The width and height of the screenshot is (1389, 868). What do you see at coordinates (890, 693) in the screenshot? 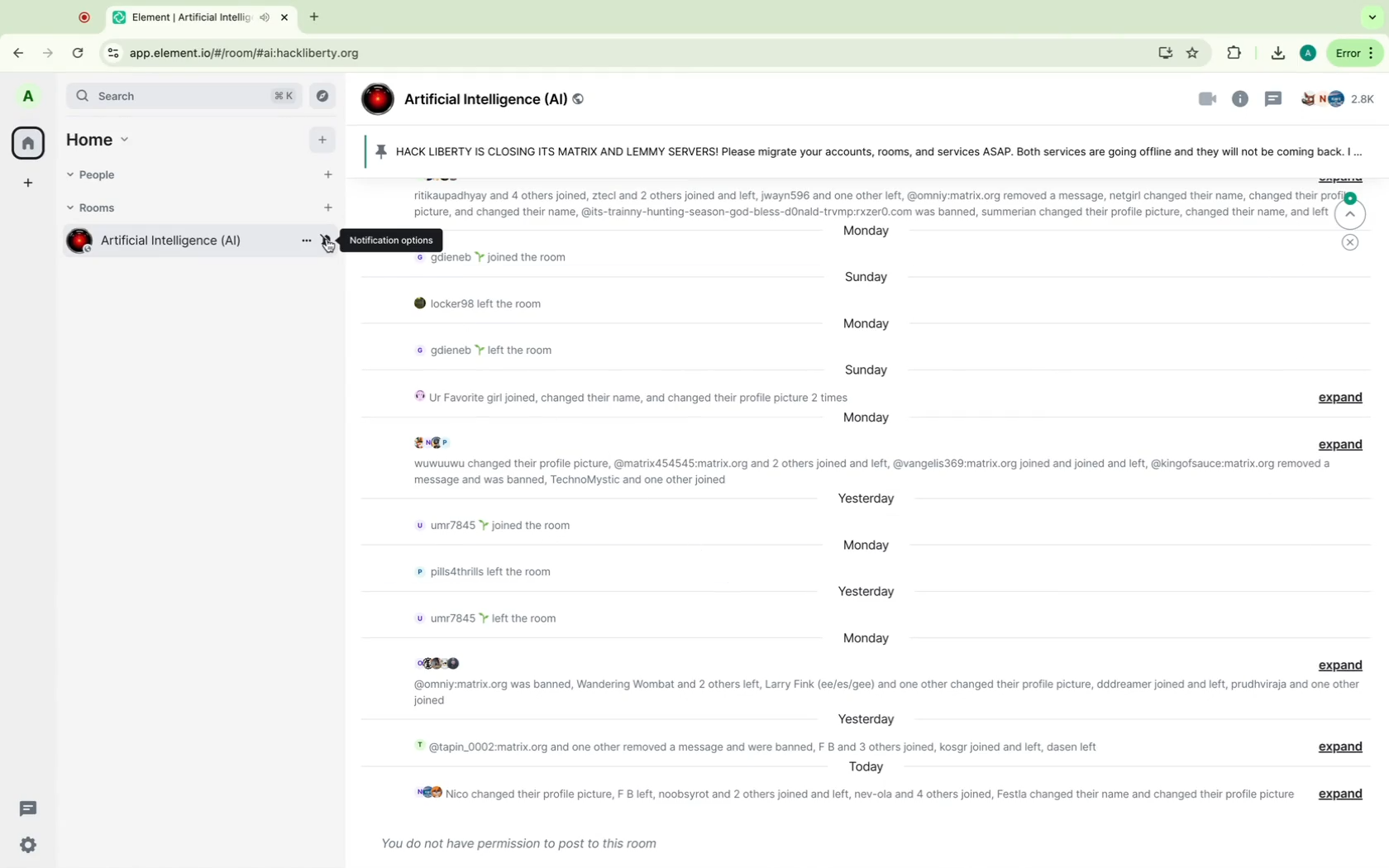
I see `message` at bounding box center [890, 693].